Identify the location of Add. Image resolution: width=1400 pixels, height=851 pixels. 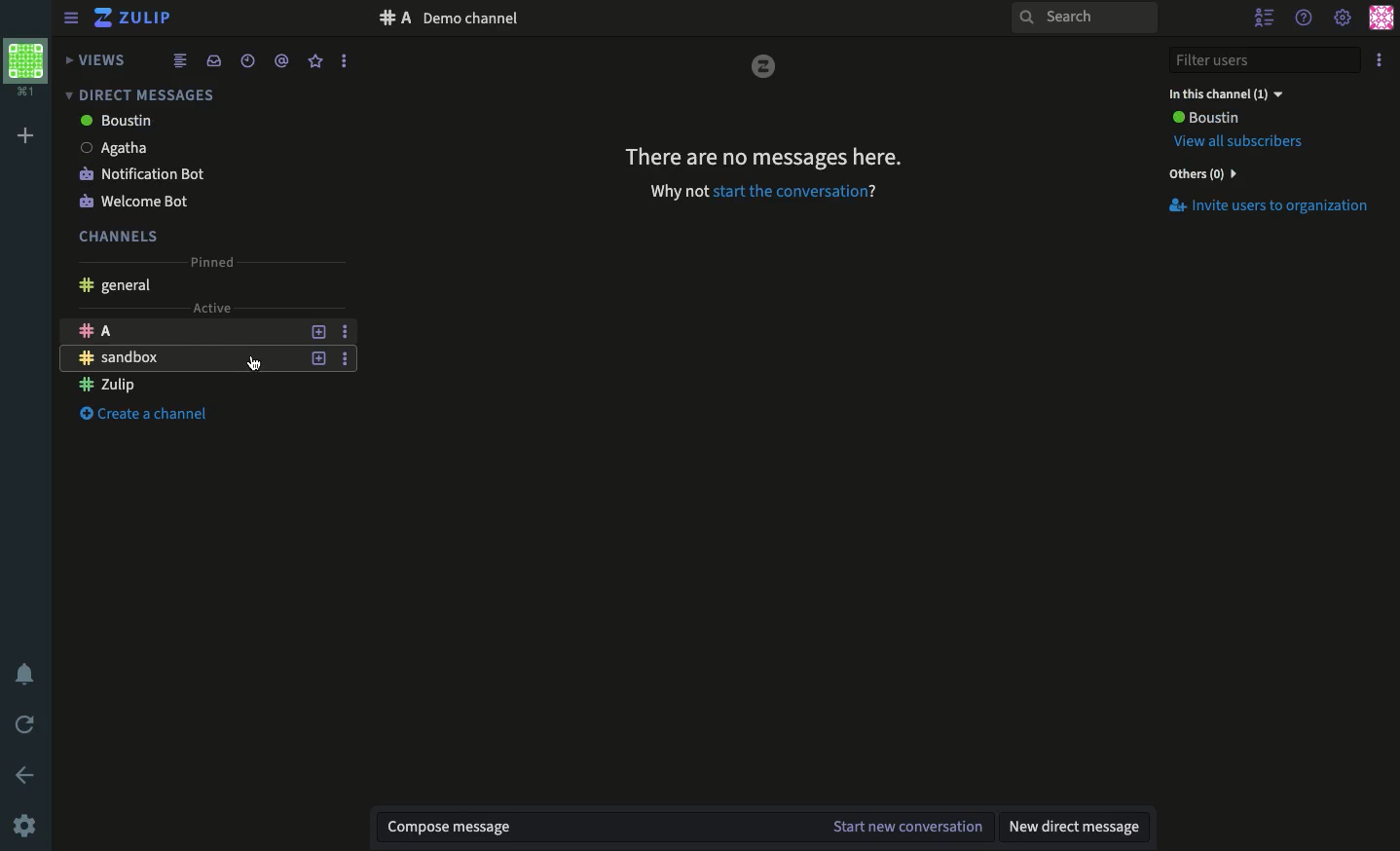
(26, 136).